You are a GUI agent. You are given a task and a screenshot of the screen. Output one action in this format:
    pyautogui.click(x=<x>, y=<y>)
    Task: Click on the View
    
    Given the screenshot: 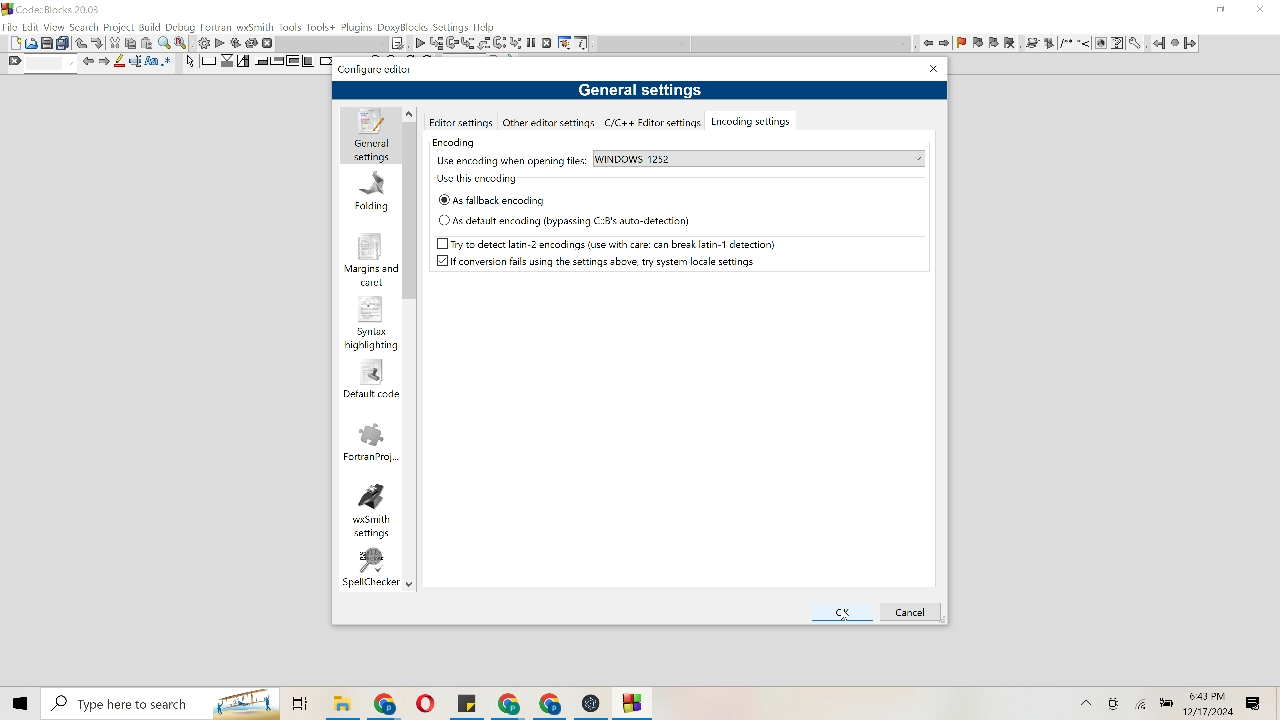 What is the action you would take?
    pyautogui.click(x=54, y=27)
    